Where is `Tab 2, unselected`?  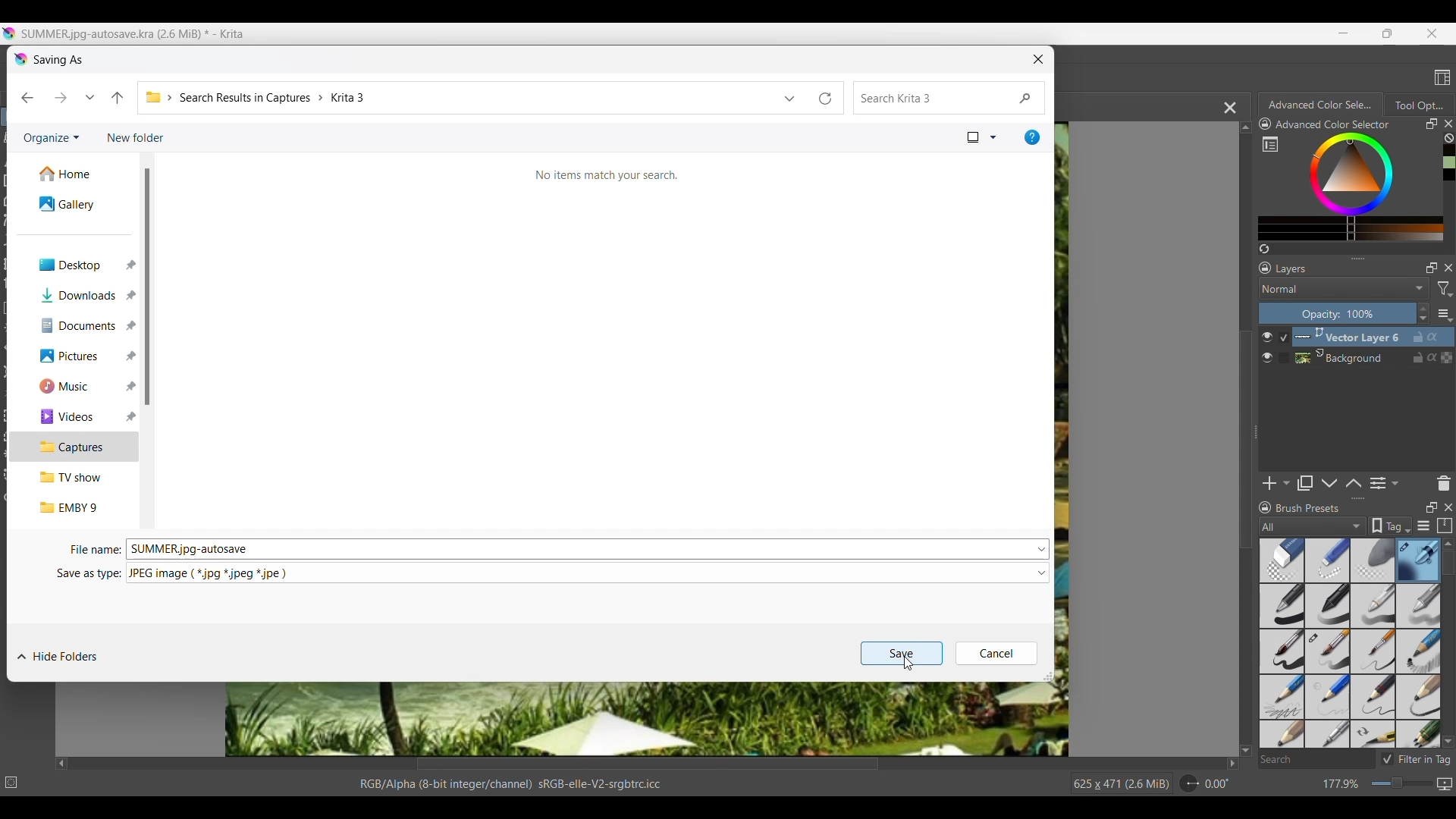 Tab 2, unselected is located at coordinates (1418, 105).